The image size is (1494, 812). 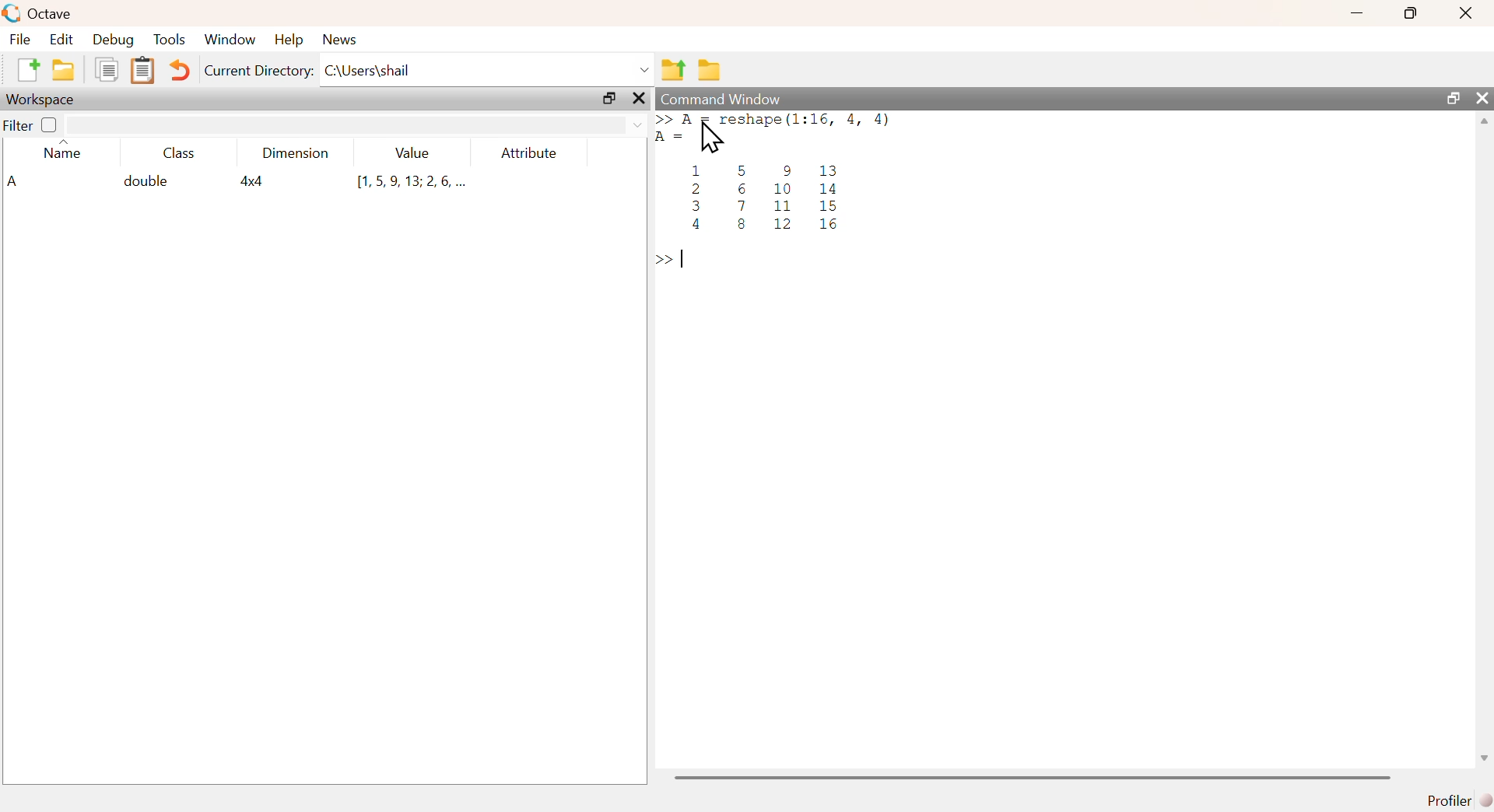 I want to click on close, so click(x=641, y=99).